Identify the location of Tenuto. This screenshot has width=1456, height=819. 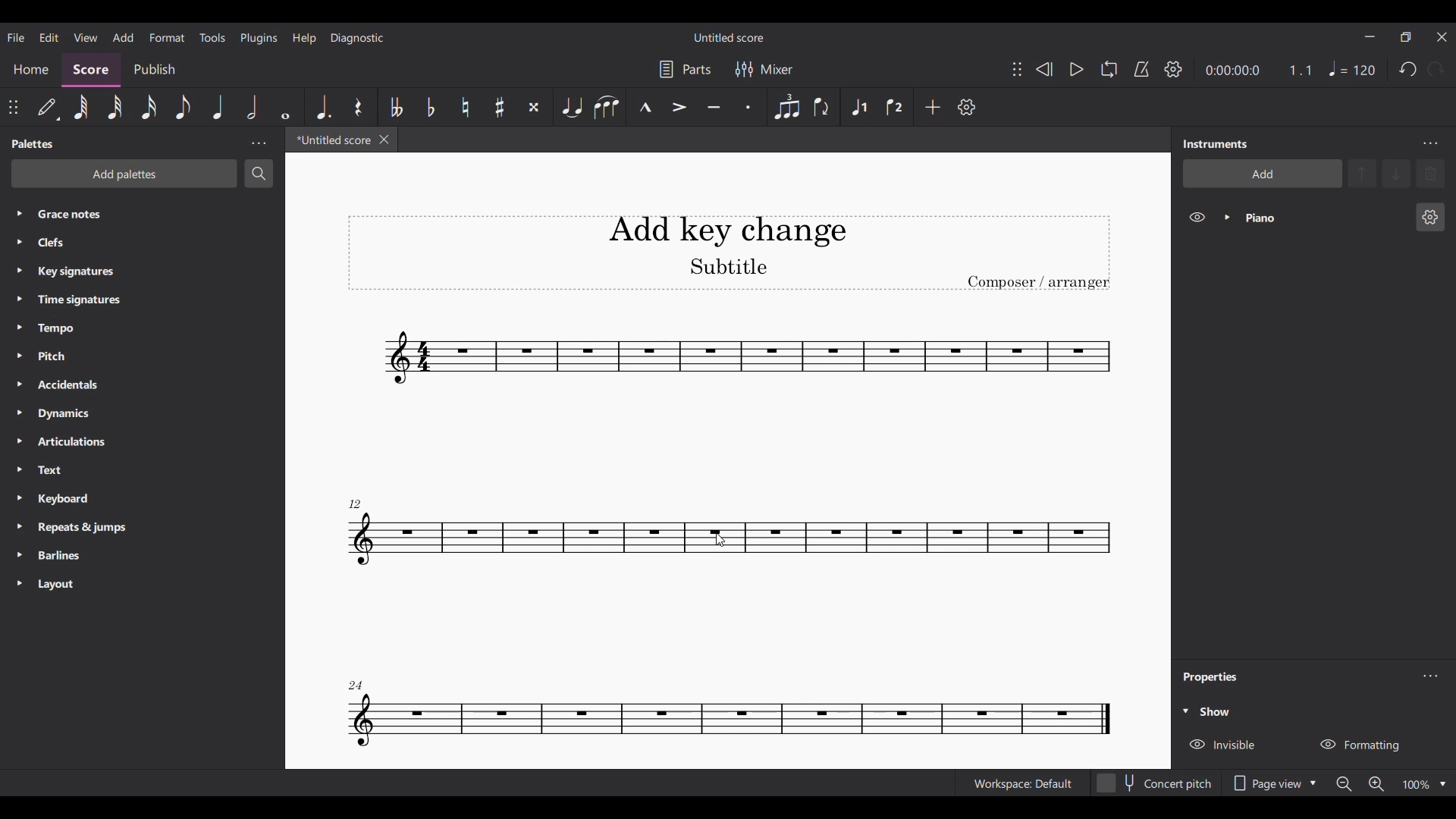
(714, 106).